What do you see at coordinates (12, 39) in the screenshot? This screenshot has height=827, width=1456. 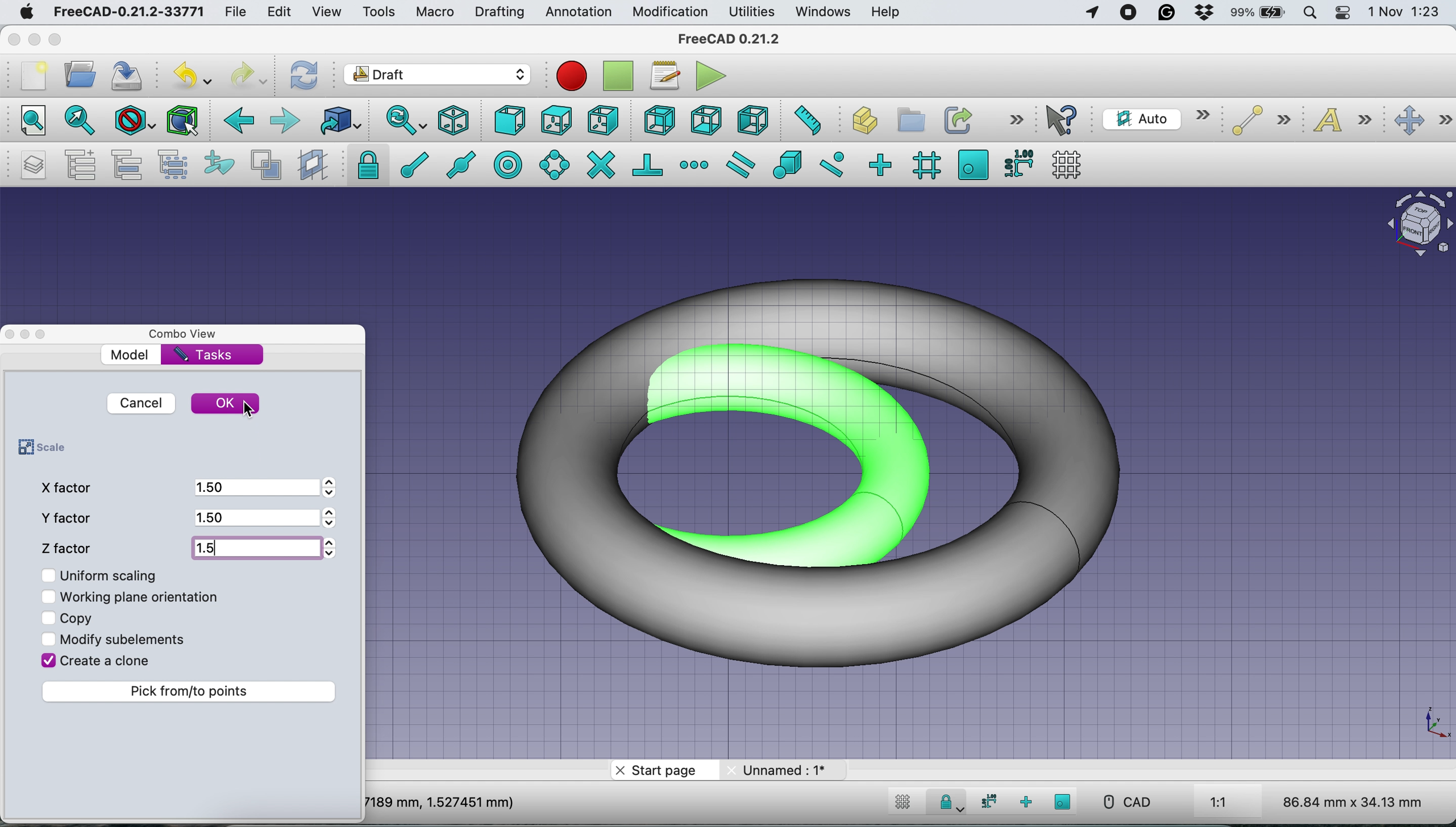 I see `close` at bounding box center [12, 39].